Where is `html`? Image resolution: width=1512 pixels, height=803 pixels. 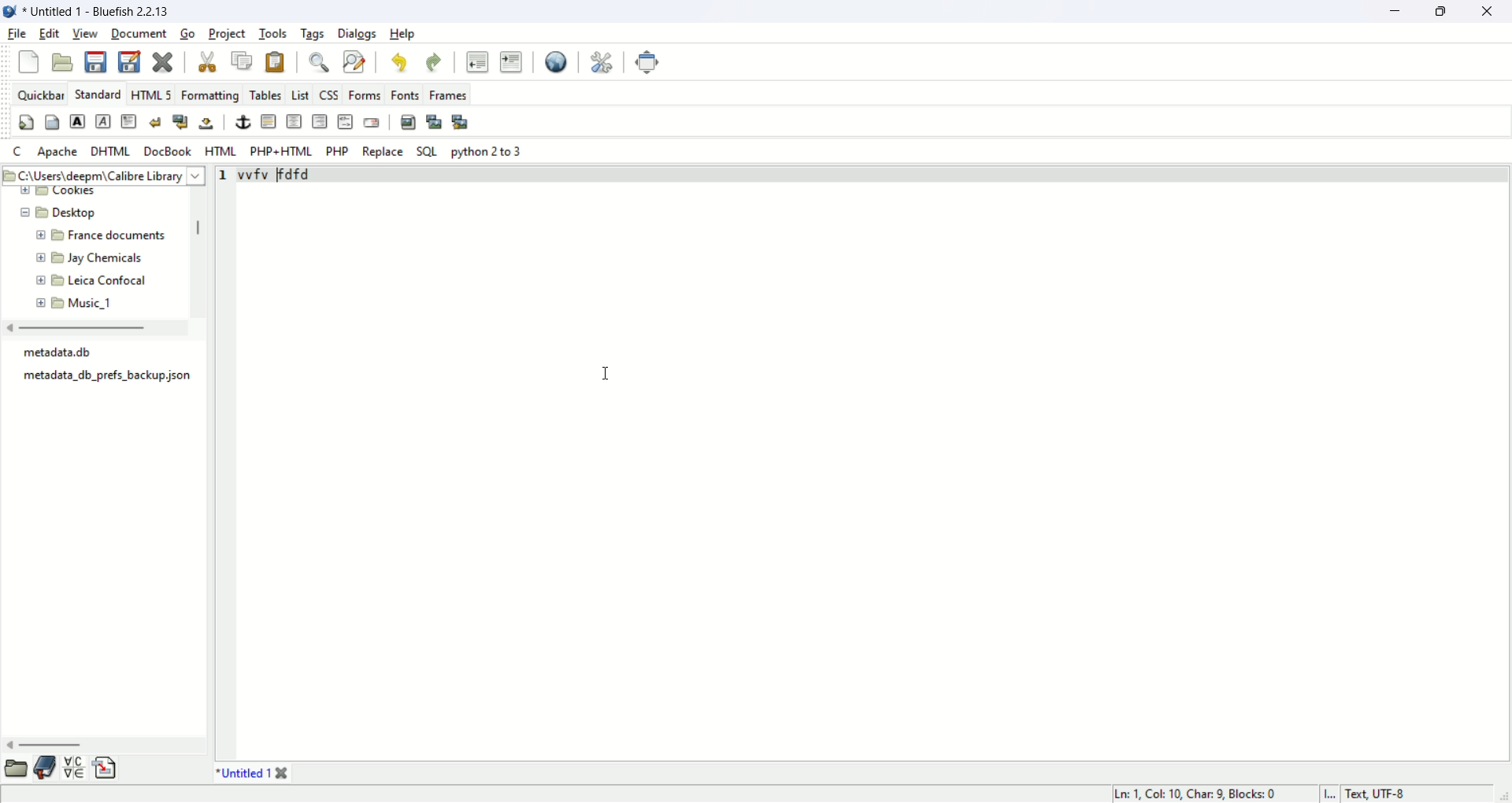
html is located at coordinates (220, 150).